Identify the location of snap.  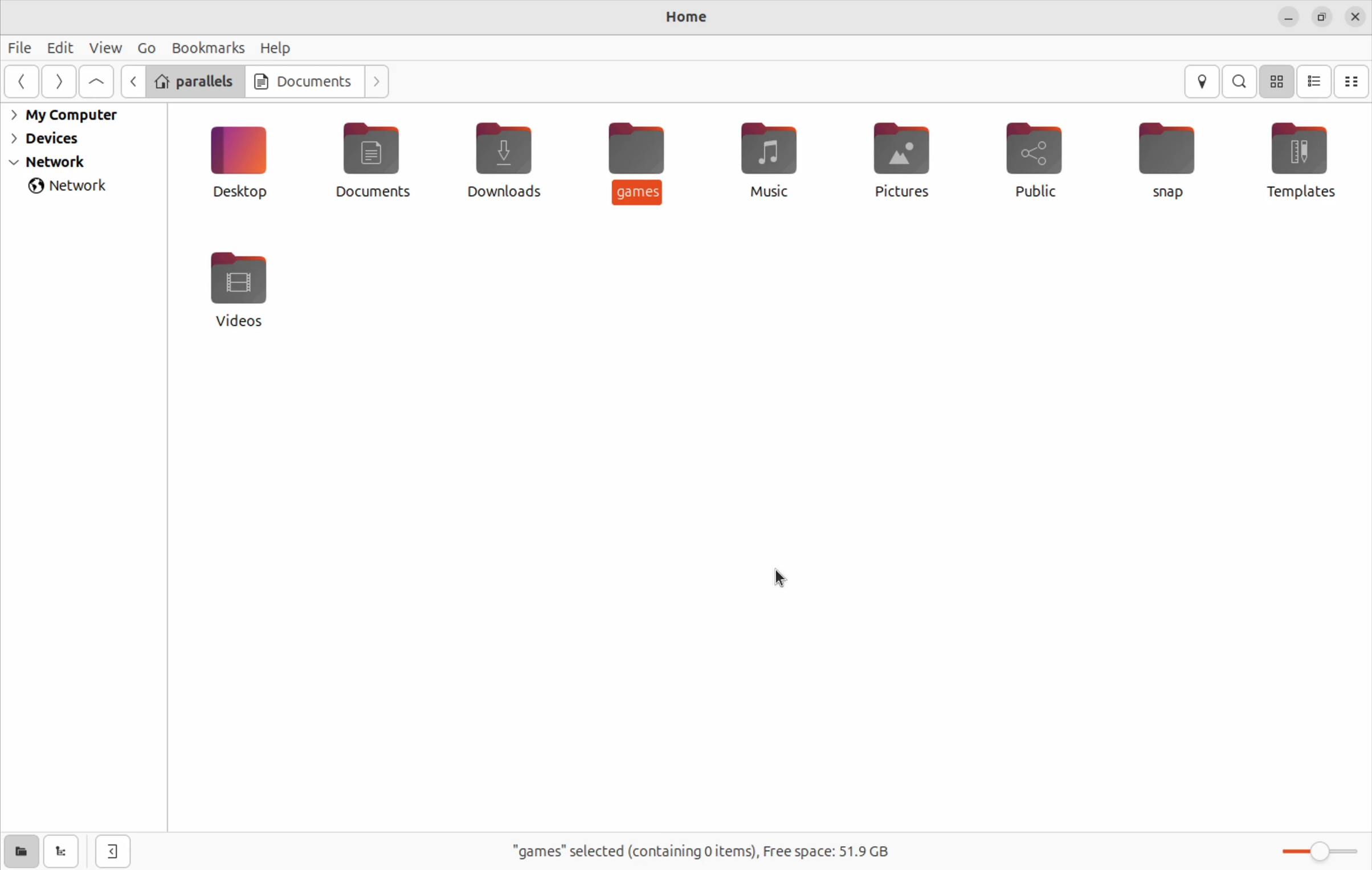
(1173, 156).